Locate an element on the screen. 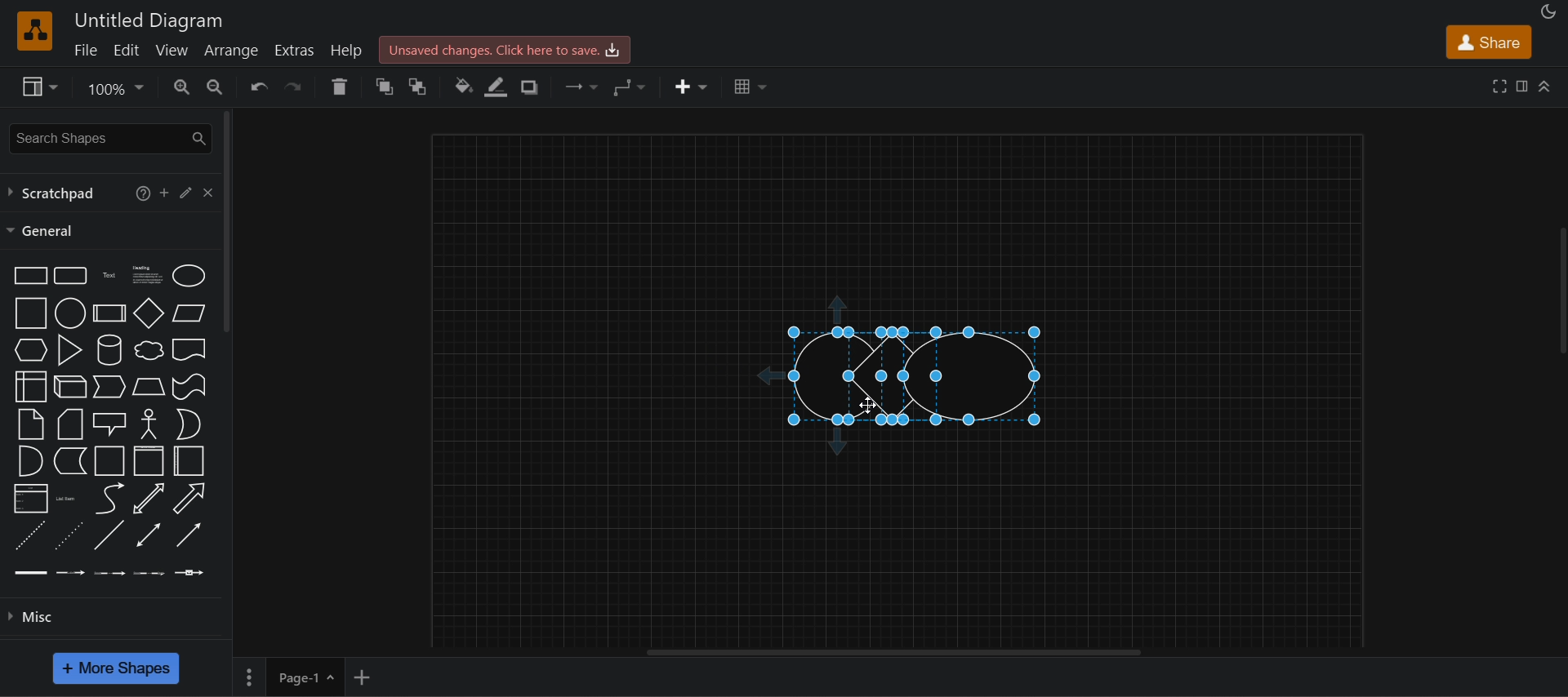  page options is located at coordinates (248, 677).